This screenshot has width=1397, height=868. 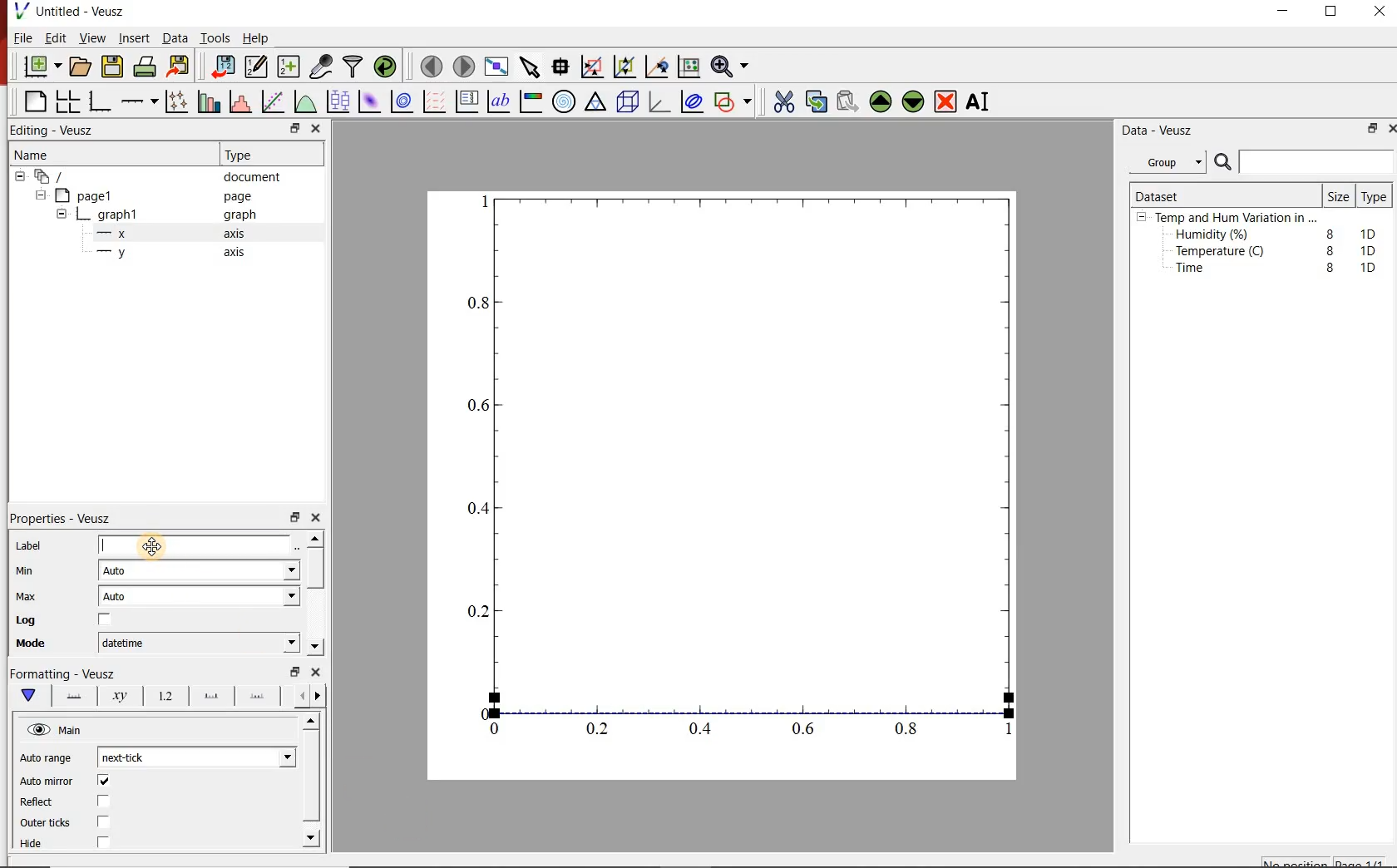 I want to click on 0.6, so click(x=477, y=410).